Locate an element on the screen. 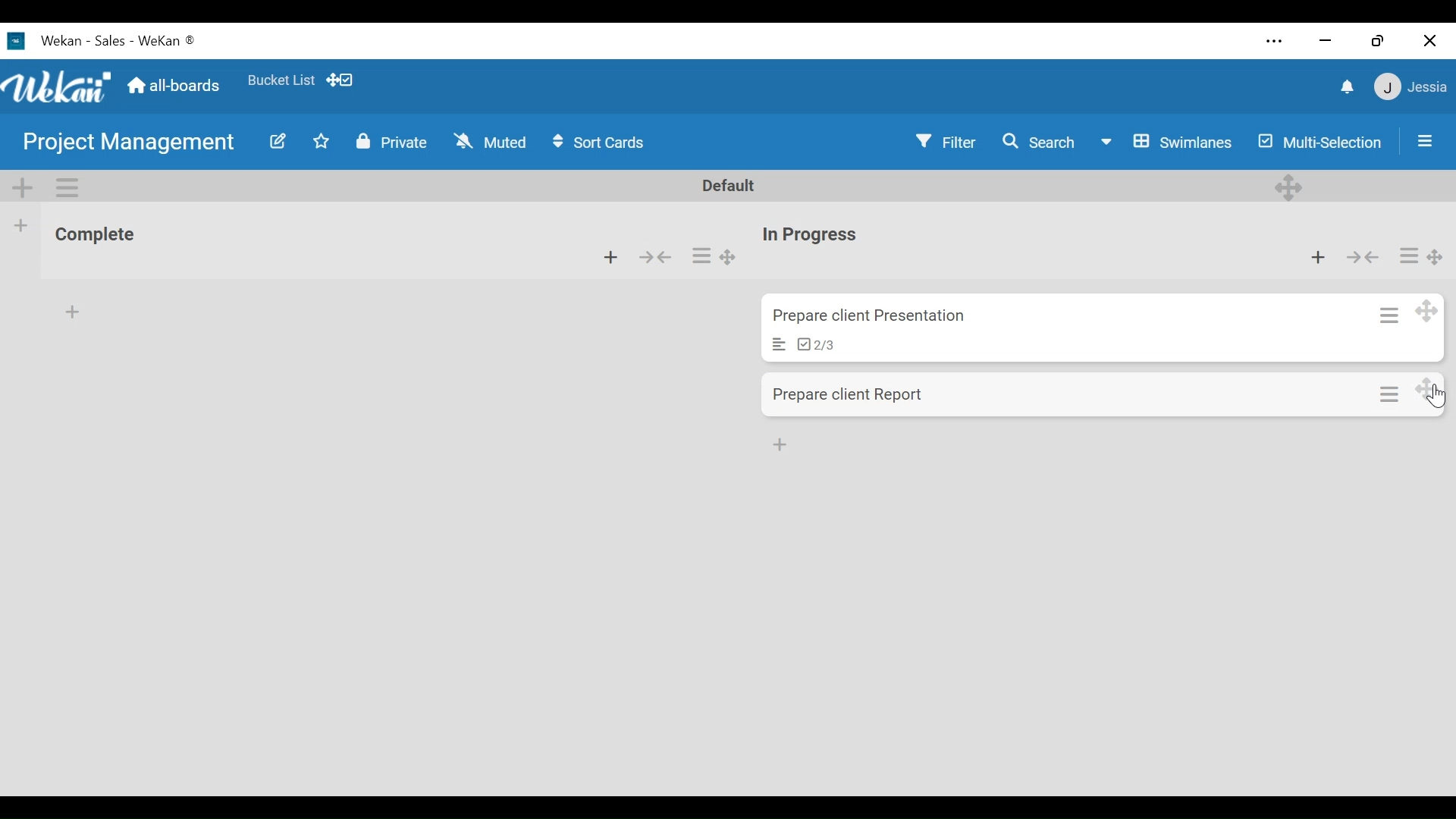  Filter  is located at coordinates (947, 143).